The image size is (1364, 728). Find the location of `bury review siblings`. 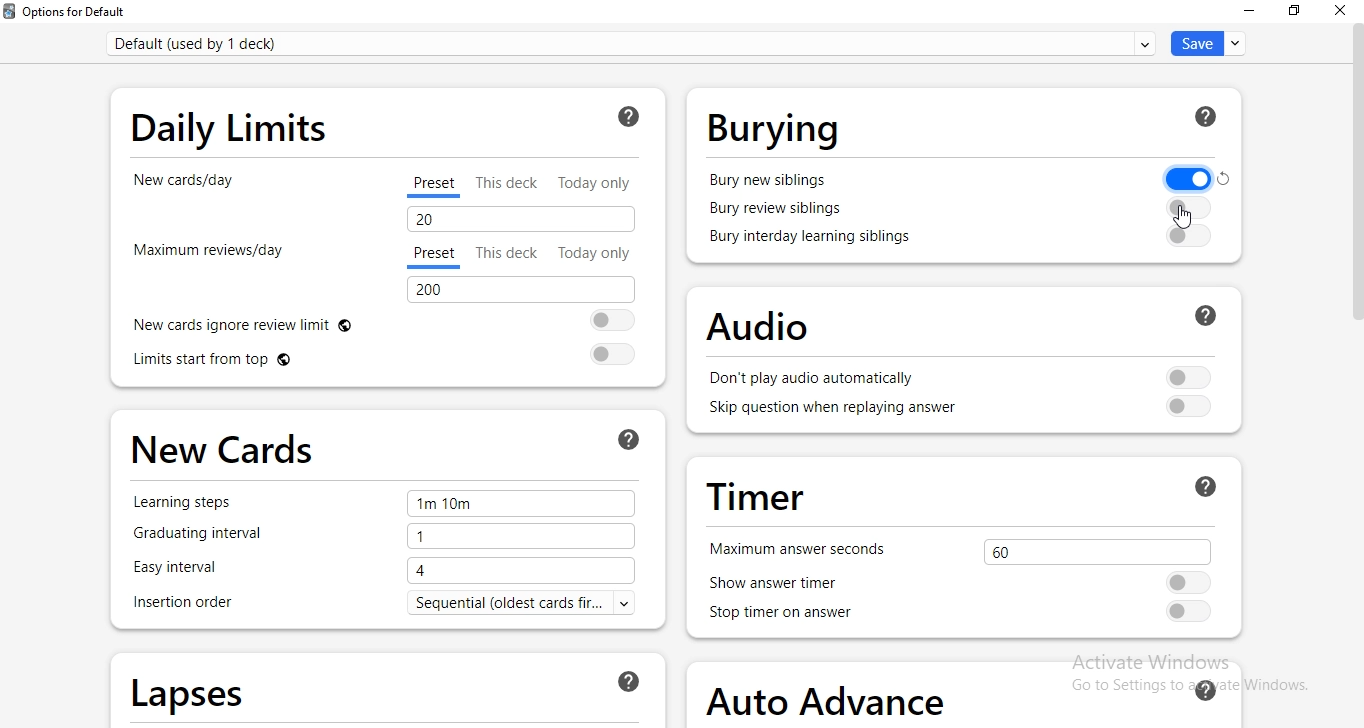

bury review siblings is located at coordinates (777, 211).